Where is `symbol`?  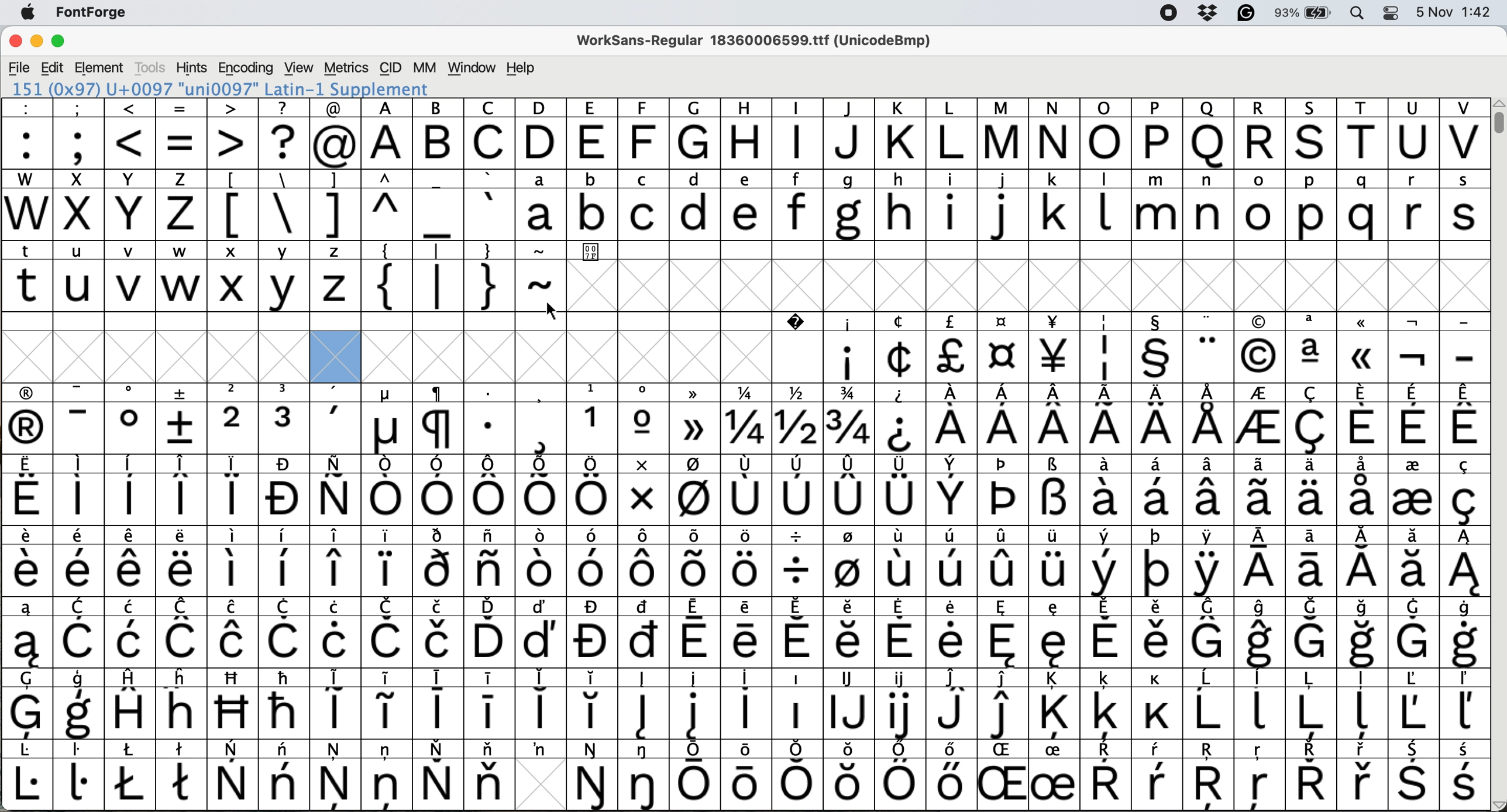
symbol is located at coordinates (1262, 490).